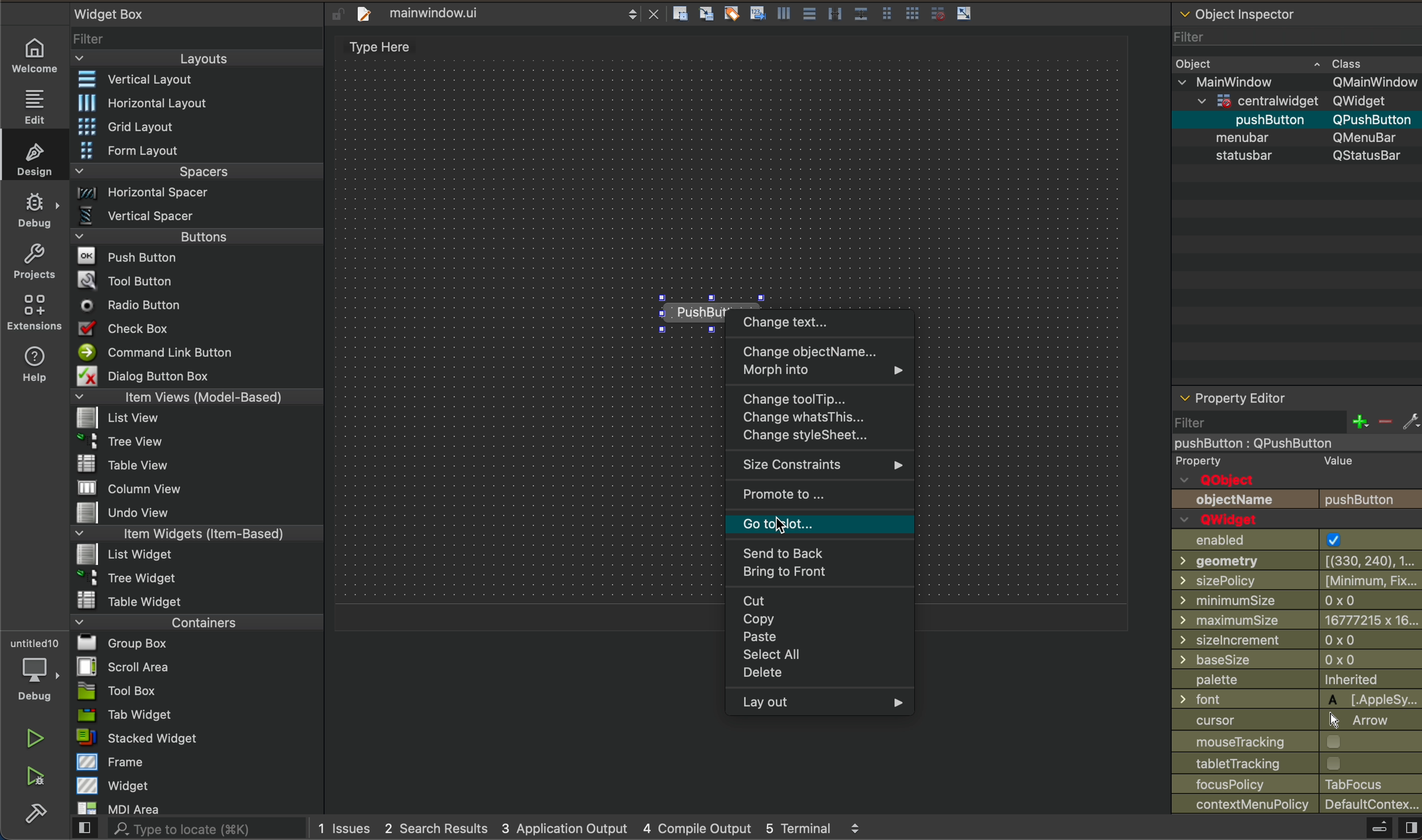 The width and height of the screenshot is (1422, 840). I want to click on frame, so click(194, 763).